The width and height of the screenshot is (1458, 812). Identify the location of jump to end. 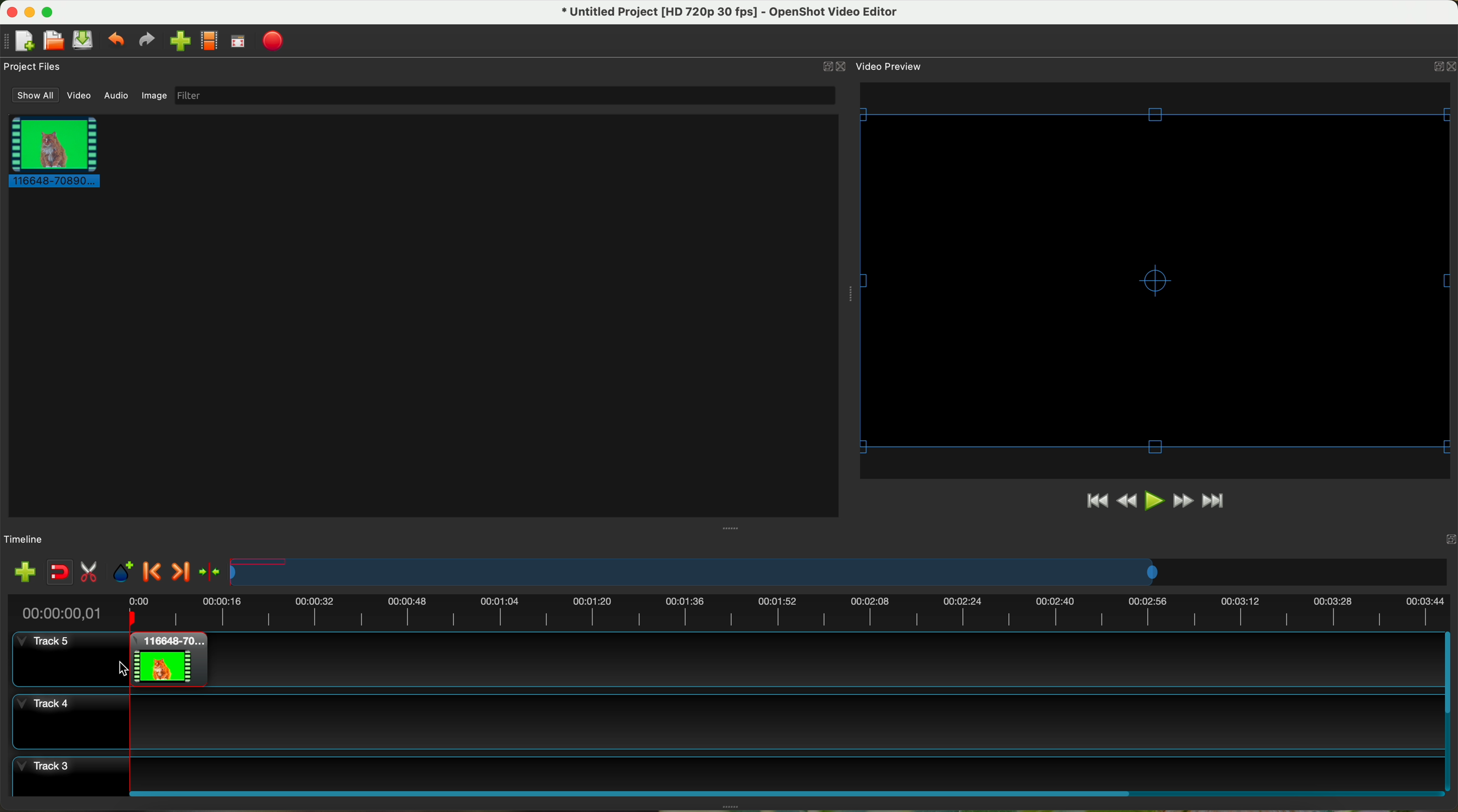
(1215, 502).